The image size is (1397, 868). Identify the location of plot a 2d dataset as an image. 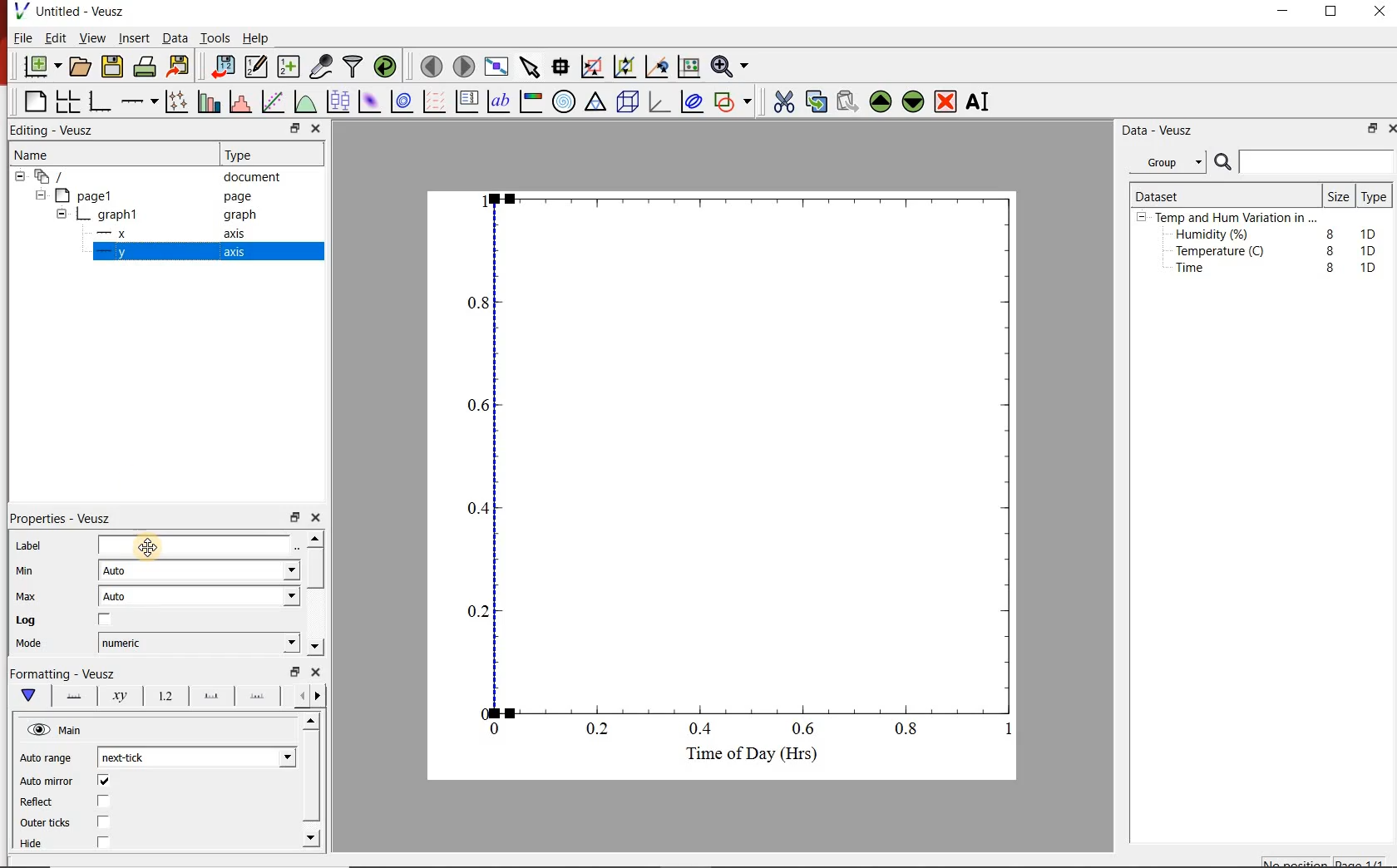
(370, 102).